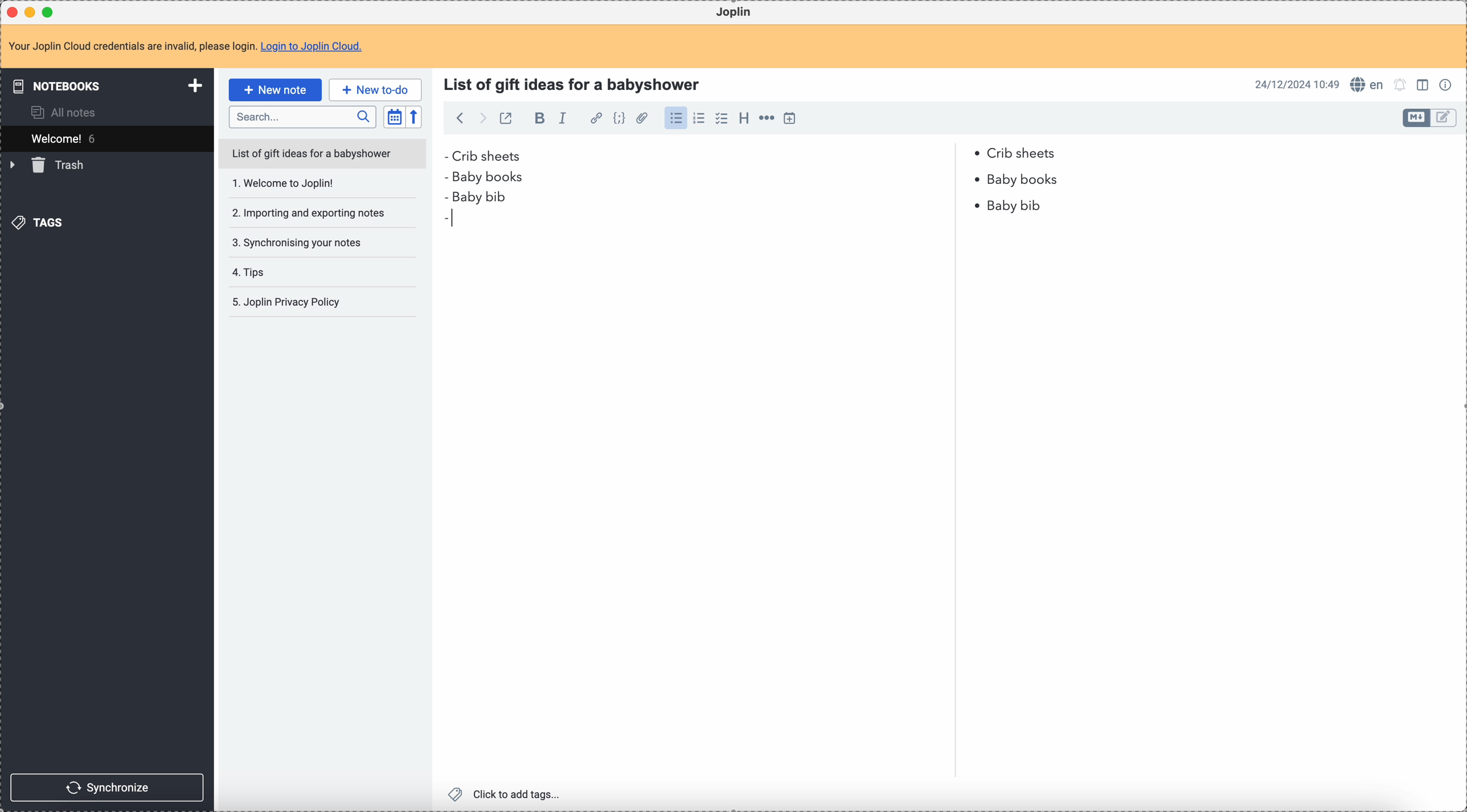  Describe the element at coordinates (274, 90) in the screenshot. I see `click on new note` at that location.